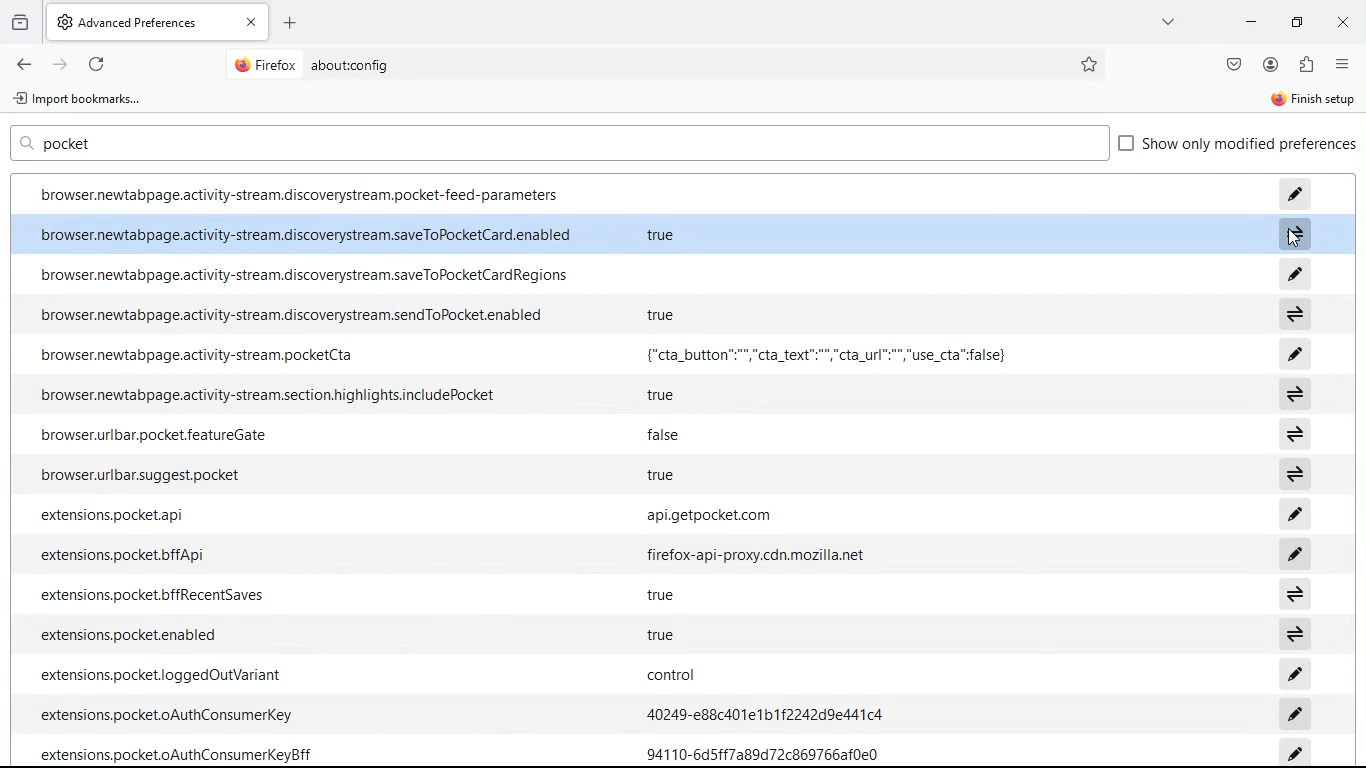 The width and height of the screenshot is (1366, 768). I want to click on switch, so click(1293, 393).